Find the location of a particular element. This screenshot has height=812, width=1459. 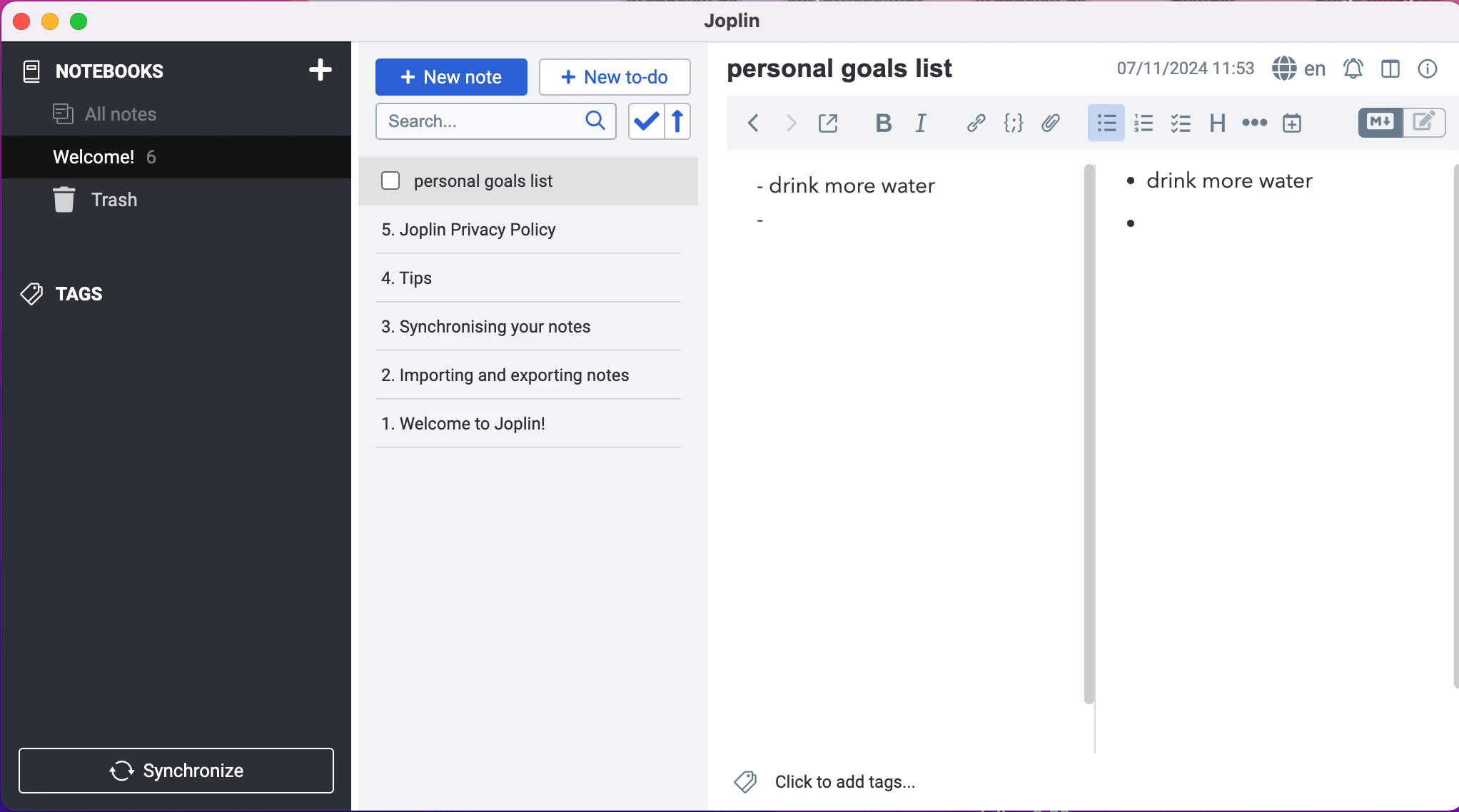

new note is located at coordinates (450, 76).